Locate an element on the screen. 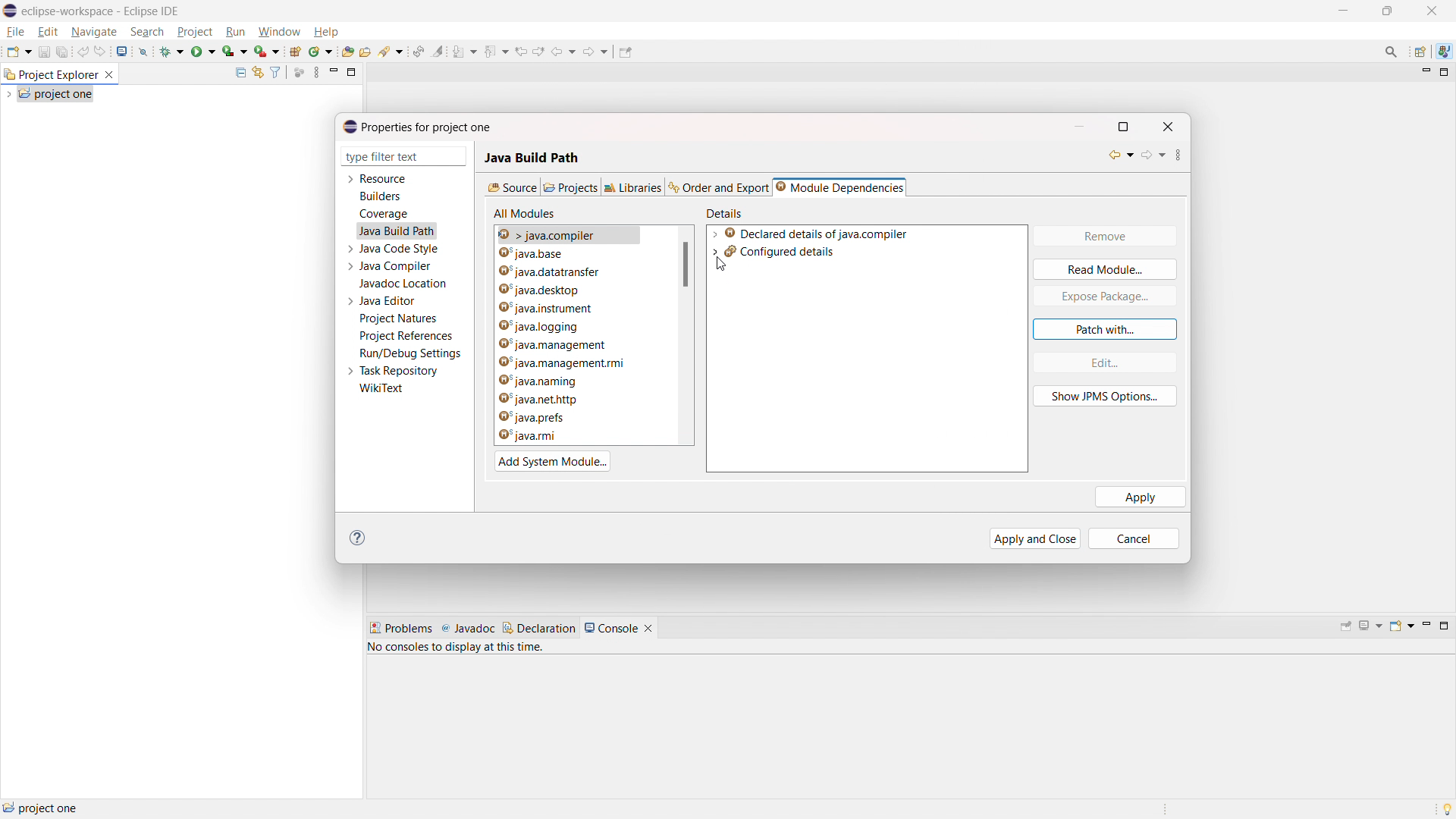 The image size is (1456, 819). close project explorer is located at coordinates (109, 75).